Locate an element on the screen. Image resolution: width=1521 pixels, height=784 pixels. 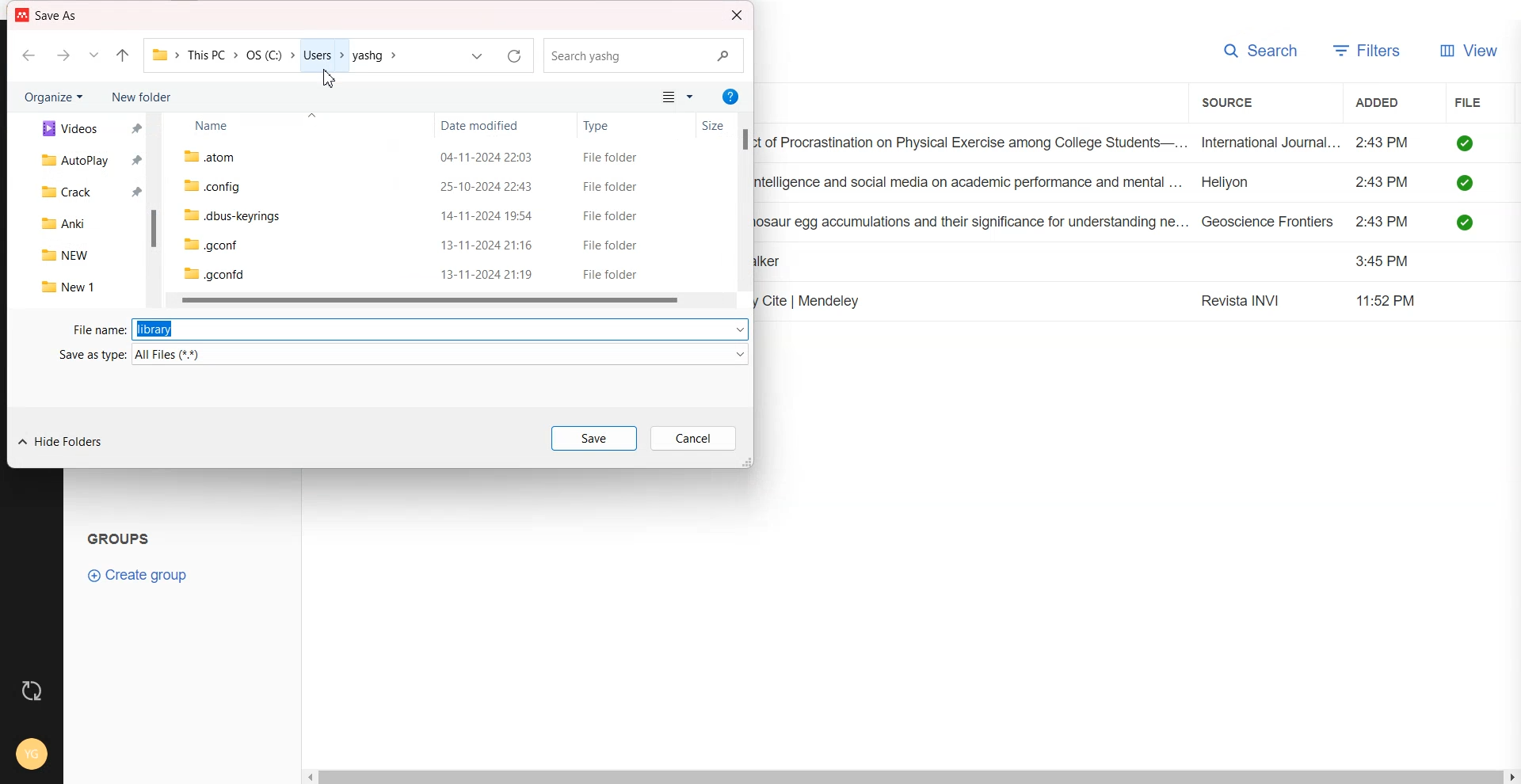
2:43PM is located at coordinates (1382, 182).